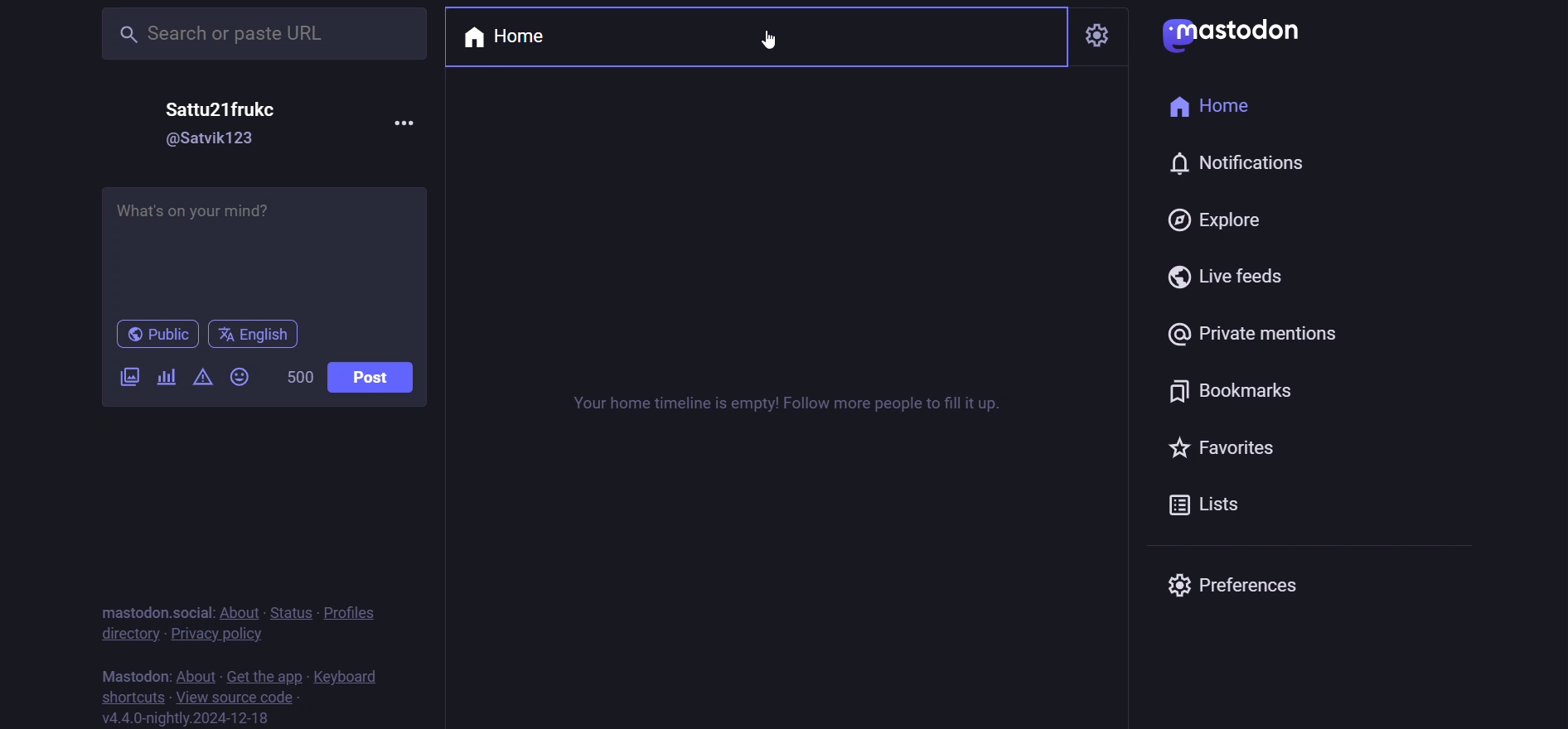 The width and height of the screenshot is (1568, 729). What do you see at coordinates (1216, 221) in the screenshot?
I see `explore` at bounding box center [1216, 221].